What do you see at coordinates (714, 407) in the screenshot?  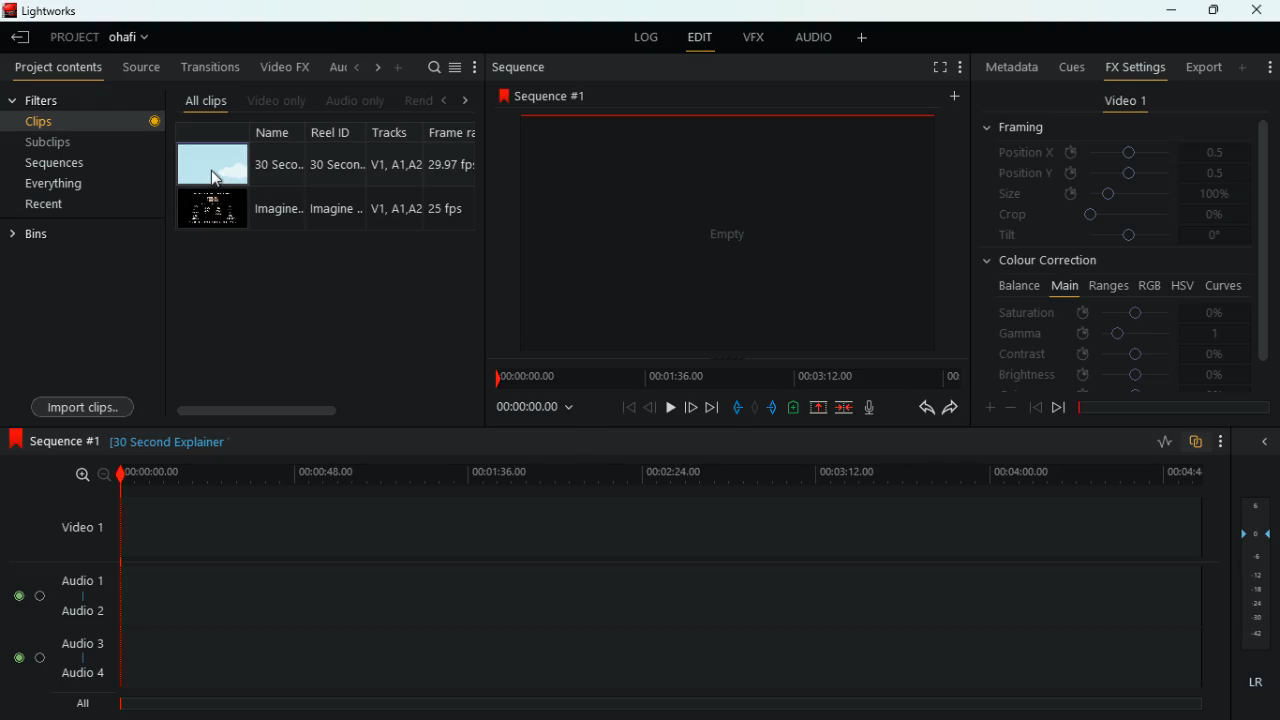 I see `end` at bounding box center [714, 407].